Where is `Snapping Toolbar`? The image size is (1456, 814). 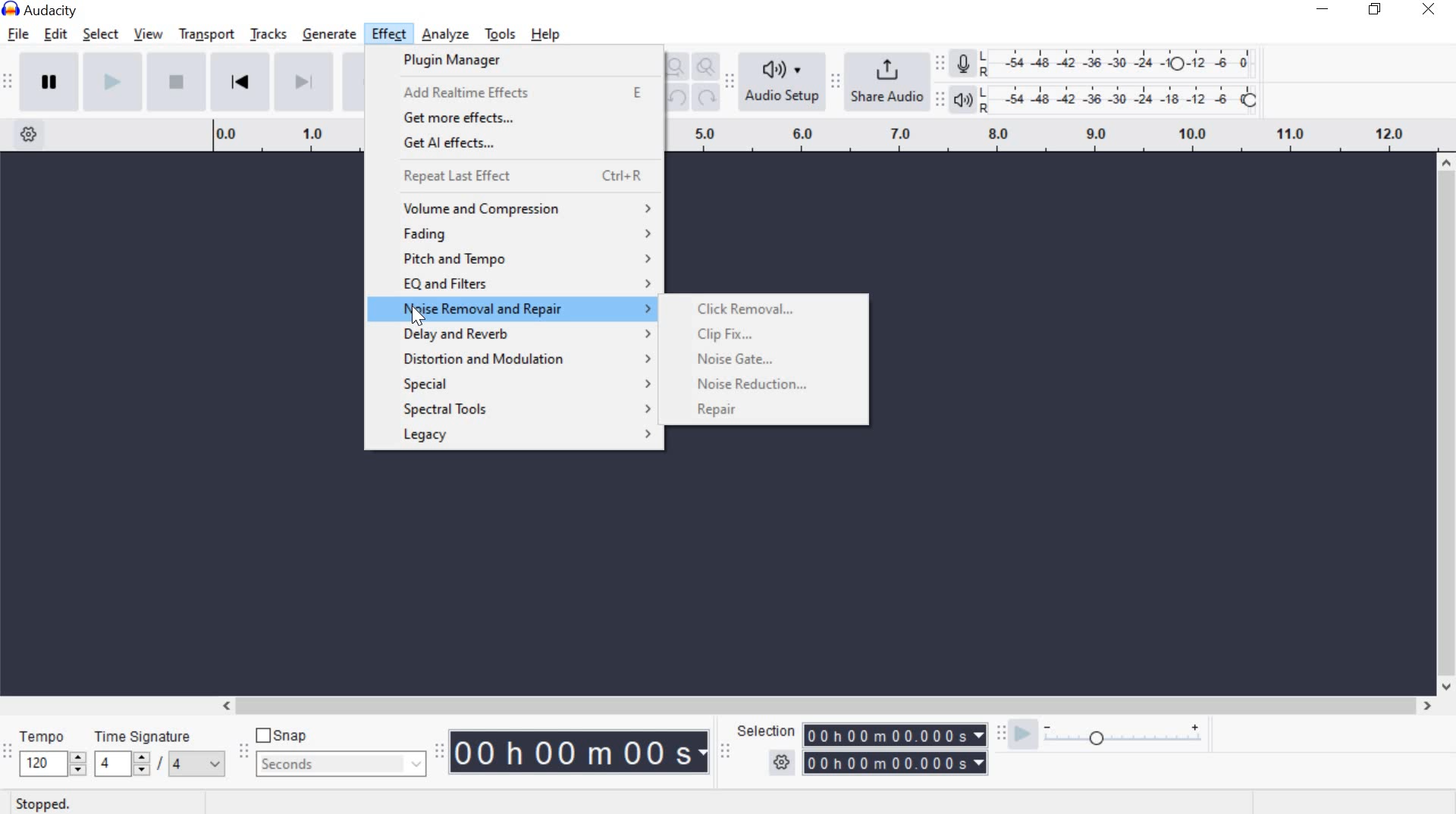 Snapping Toolbar is located at coordinates (246, 755).